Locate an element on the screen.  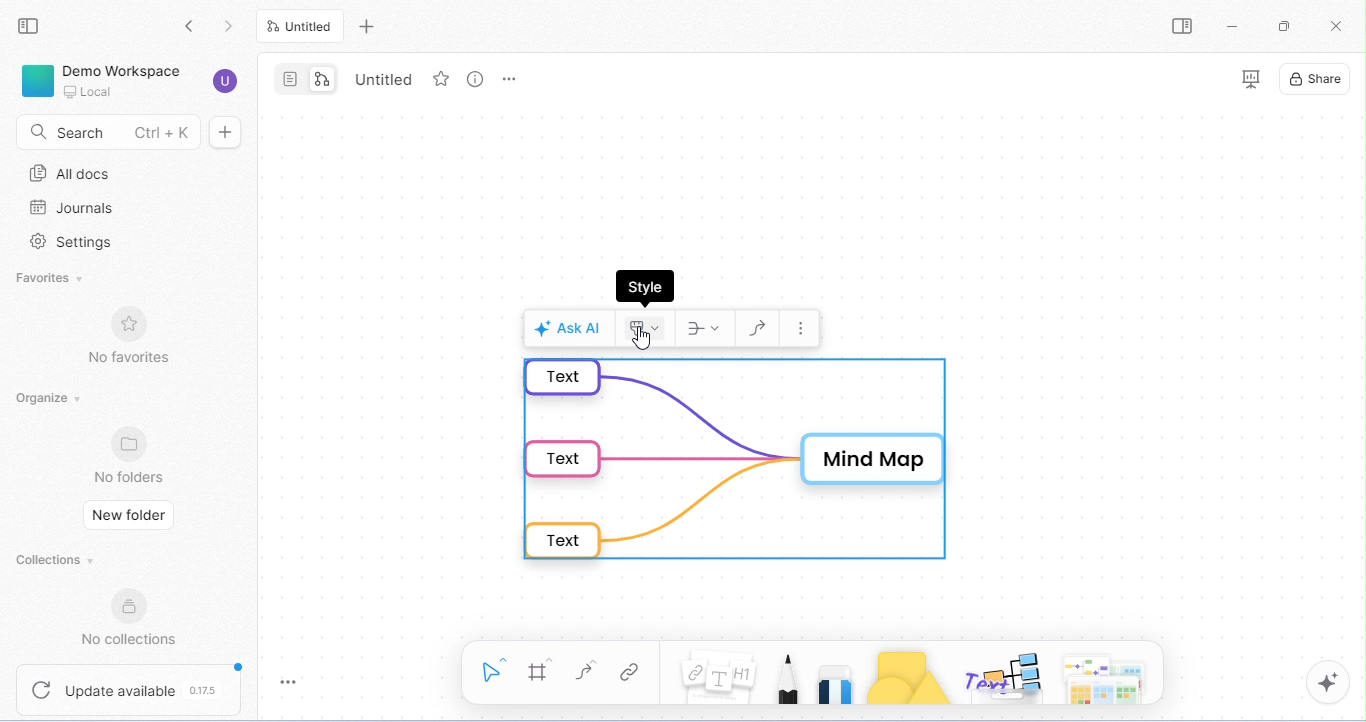
mind map in default format is located at coordinates (743, 464).